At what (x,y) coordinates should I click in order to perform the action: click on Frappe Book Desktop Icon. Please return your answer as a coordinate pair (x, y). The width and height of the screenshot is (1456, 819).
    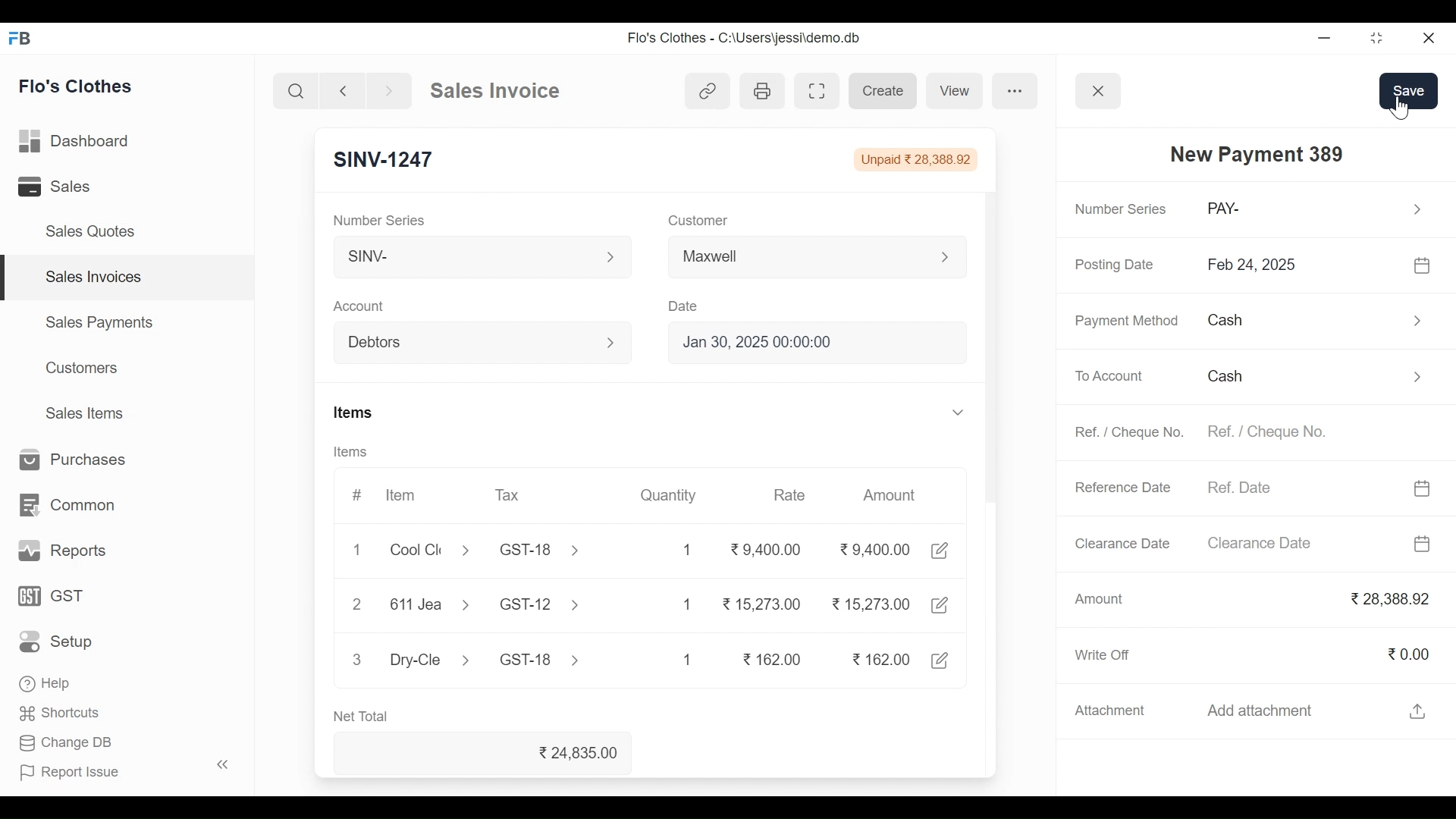
    Looking at the image, I should click on (25, 39).